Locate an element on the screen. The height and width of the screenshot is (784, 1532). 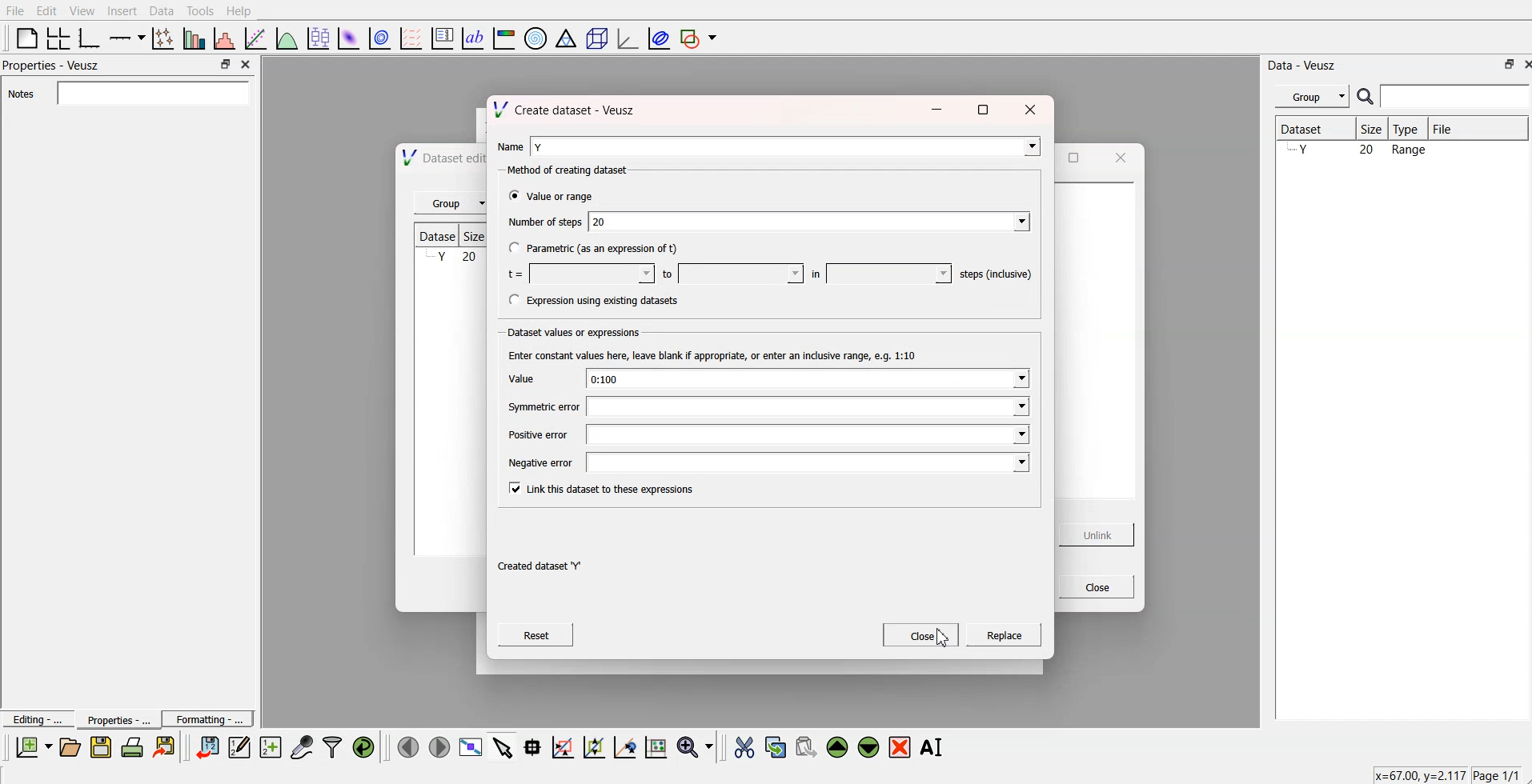
Positive error is located at coordinates (535, 434).